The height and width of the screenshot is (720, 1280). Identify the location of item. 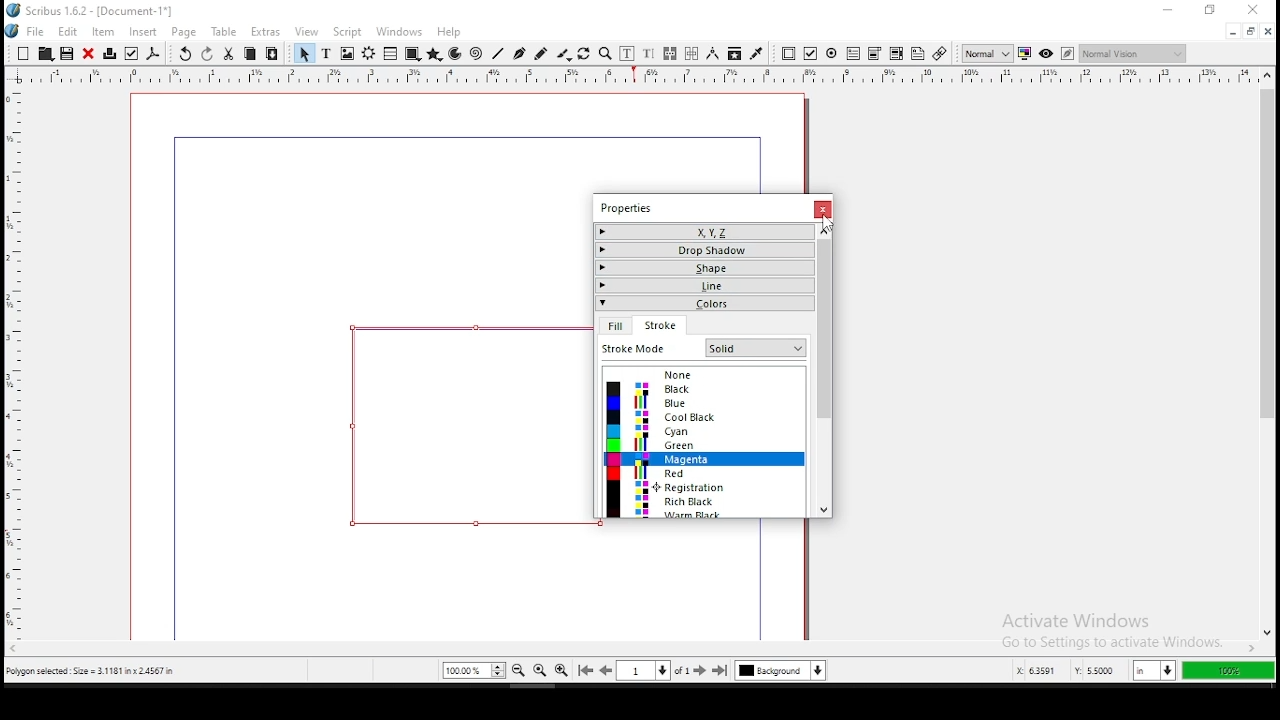
(103, 31).